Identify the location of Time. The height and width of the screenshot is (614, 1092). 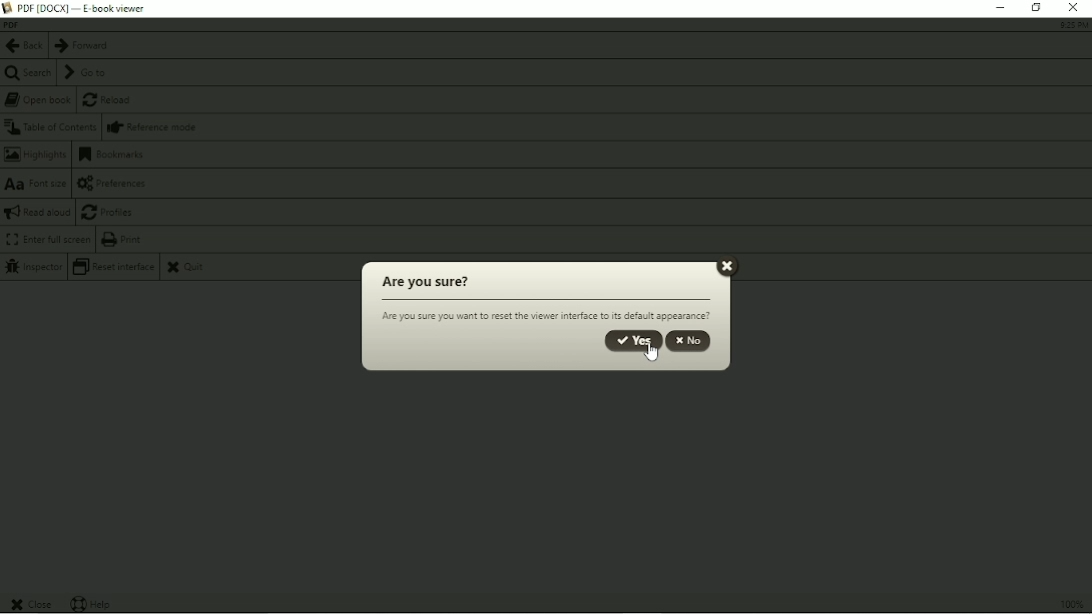
(1072, 25).